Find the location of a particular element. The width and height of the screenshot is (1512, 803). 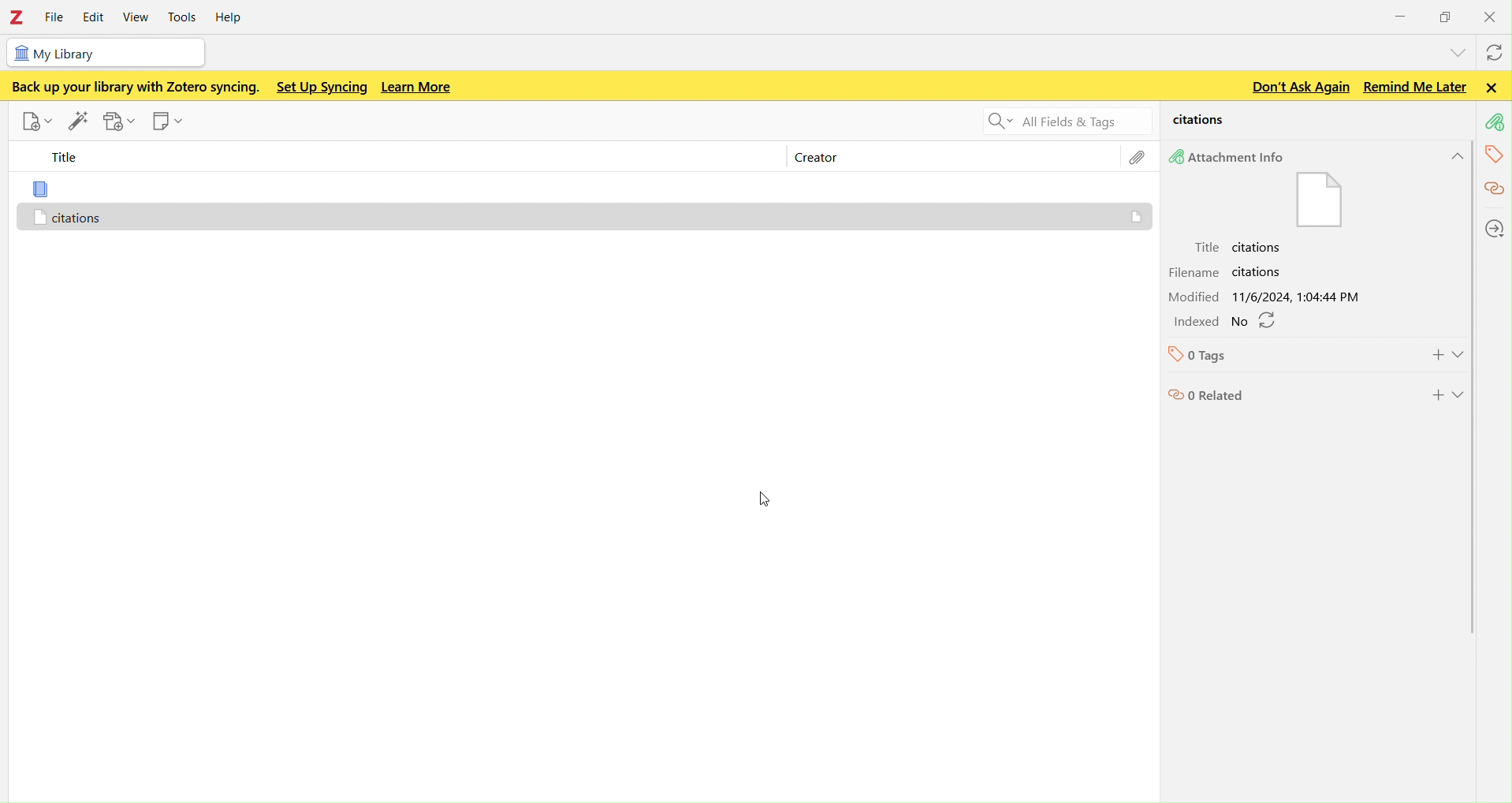

refresh  is located at coordinates (1268, 321).